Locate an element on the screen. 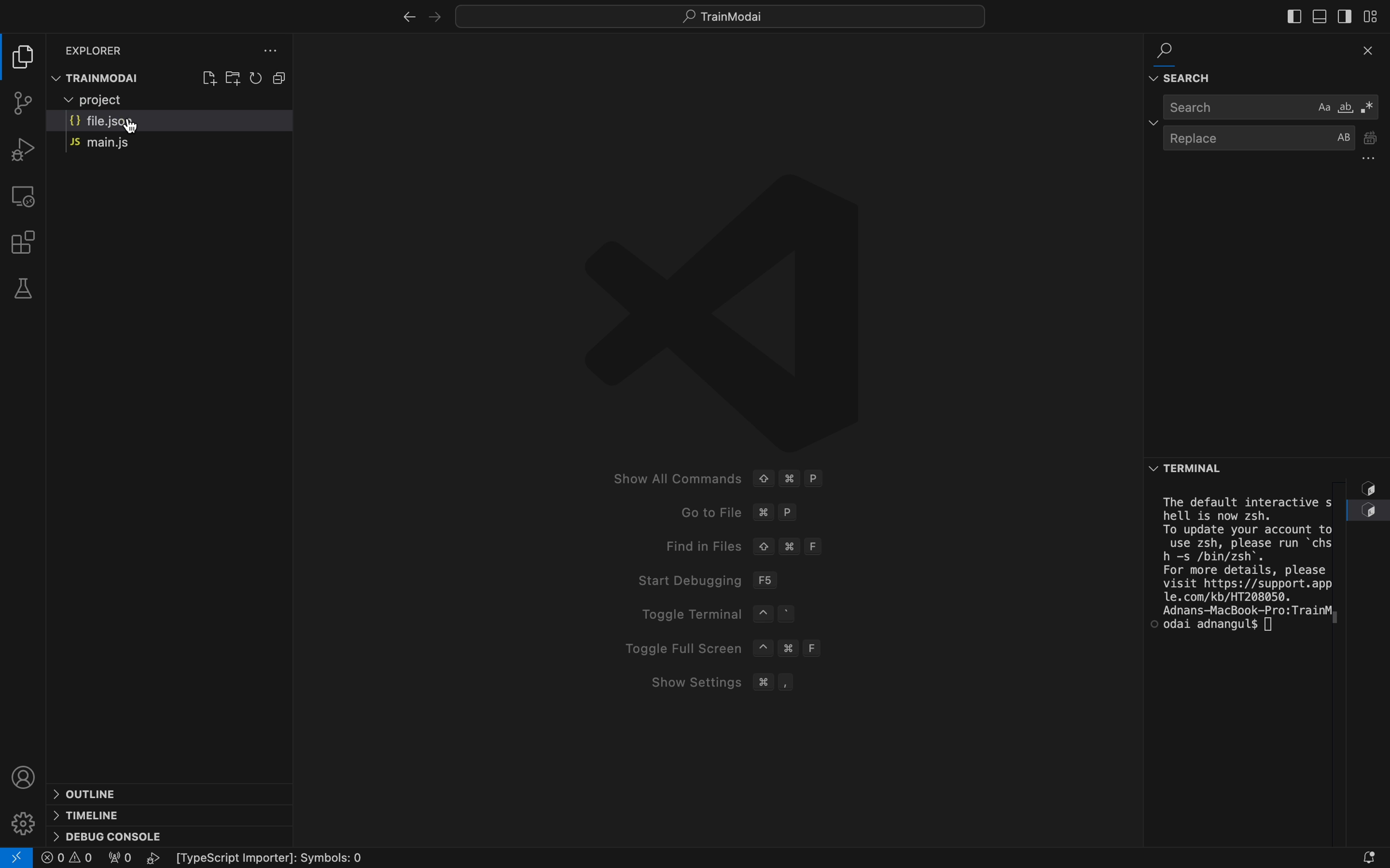 The height and width of the screenshot is (868, 1390). files and folders is located at coordinates (169, 100).